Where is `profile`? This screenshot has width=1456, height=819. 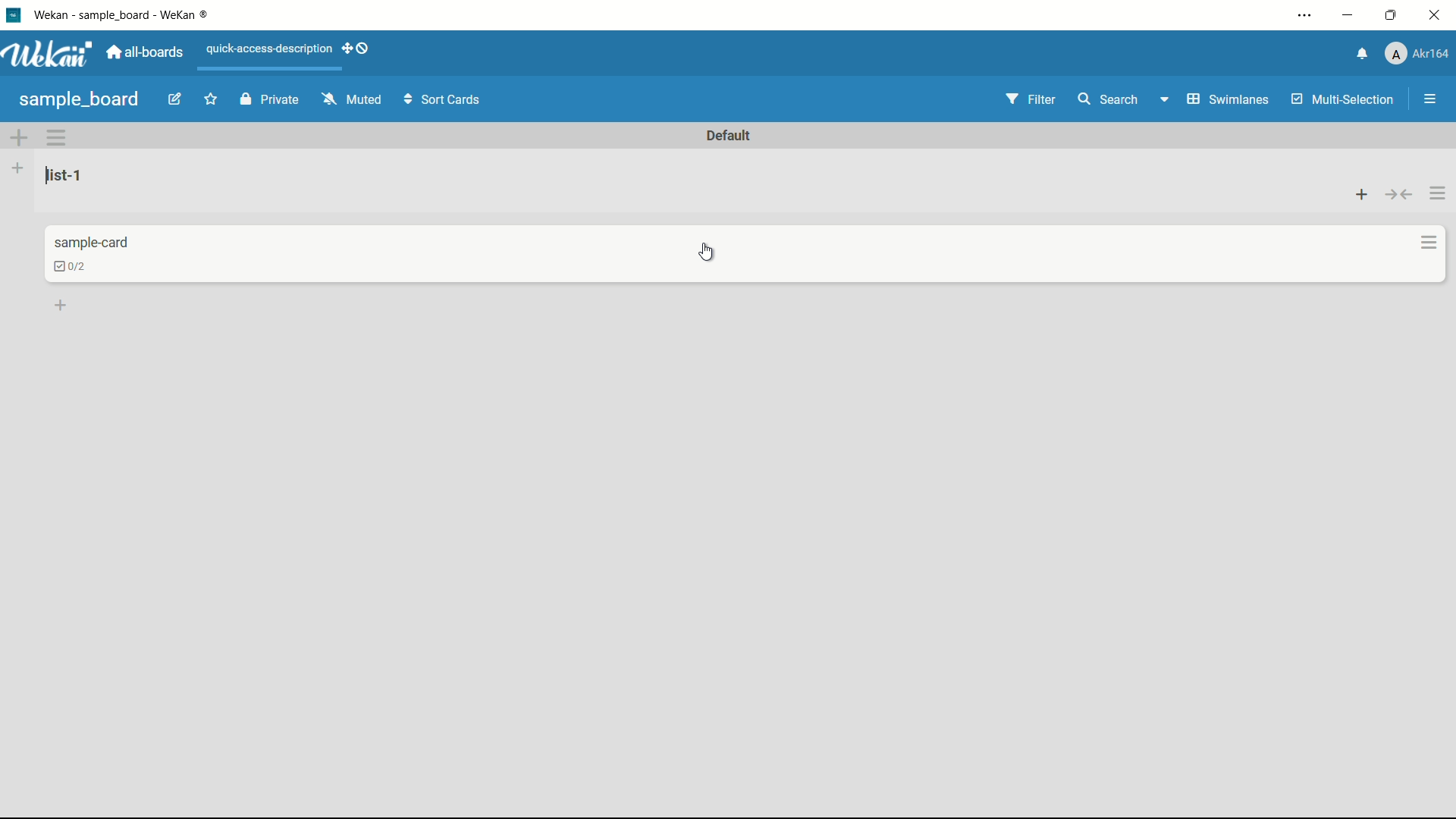
profile is located at coordinates (1420, 54).